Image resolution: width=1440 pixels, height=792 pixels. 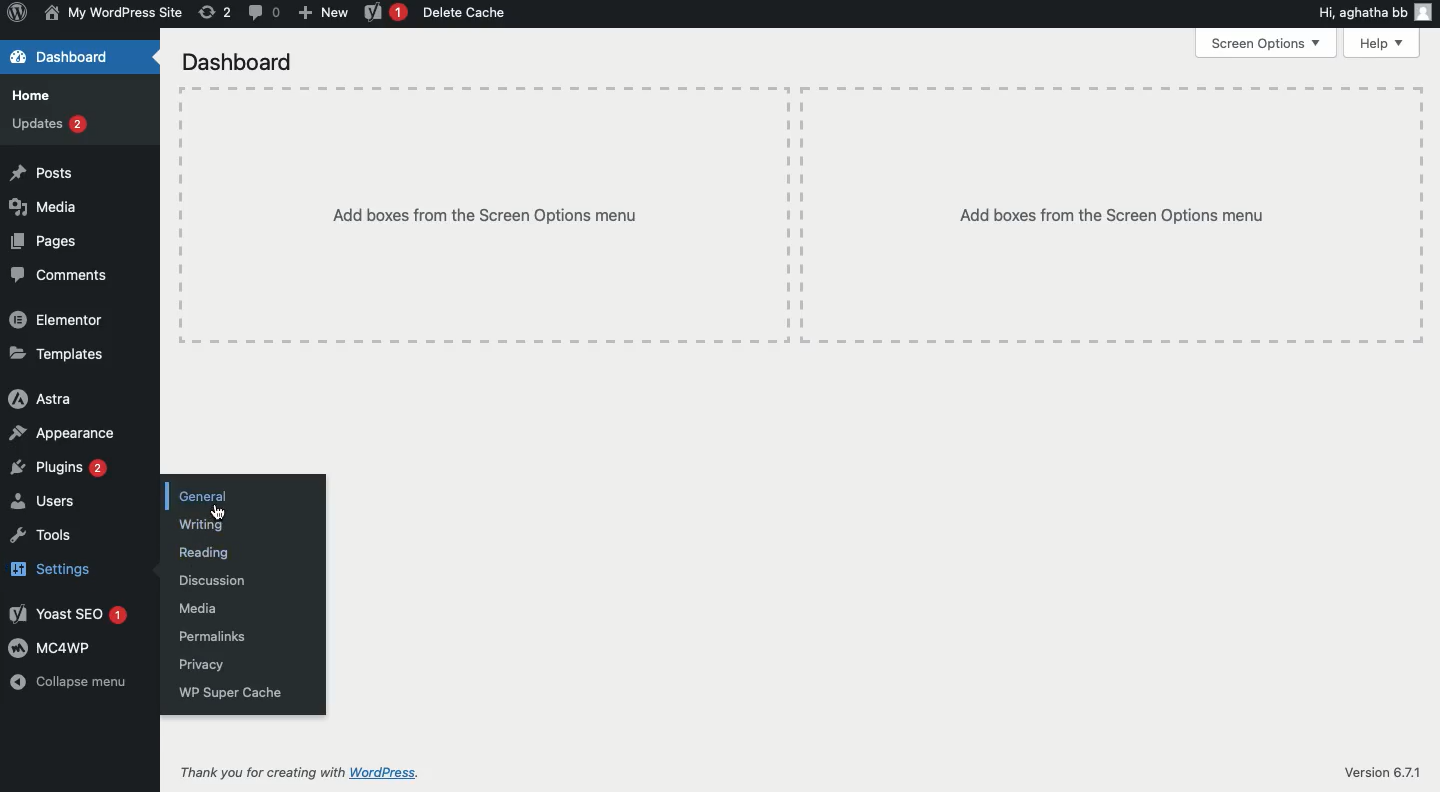 I want to click on Yoast 1, so click(x=71, y=612).